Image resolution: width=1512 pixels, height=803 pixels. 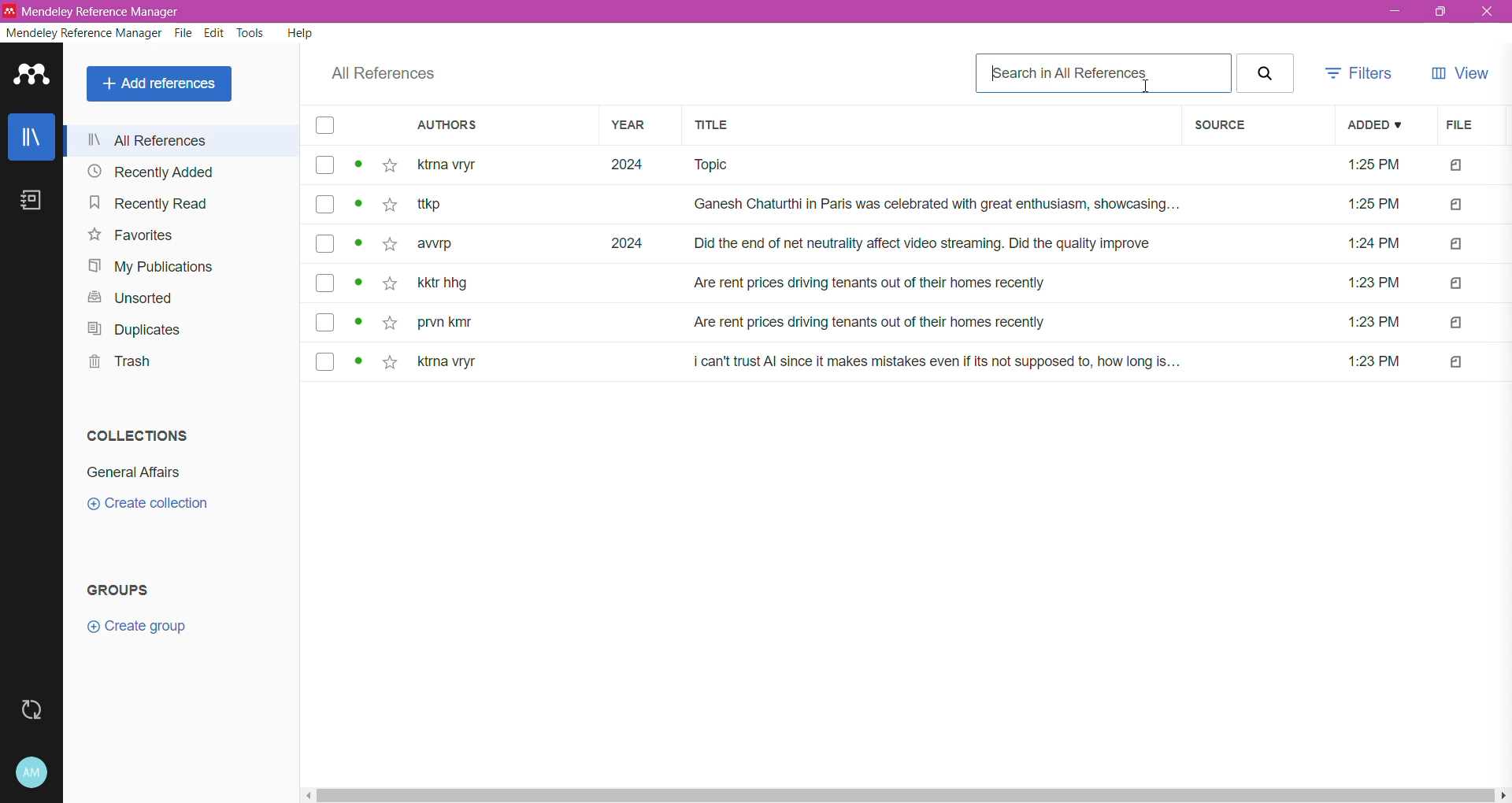 What do you see at coordinates (359, 244) in the screenshot?
I see `view status of the file` at bounding box center [359, 244].